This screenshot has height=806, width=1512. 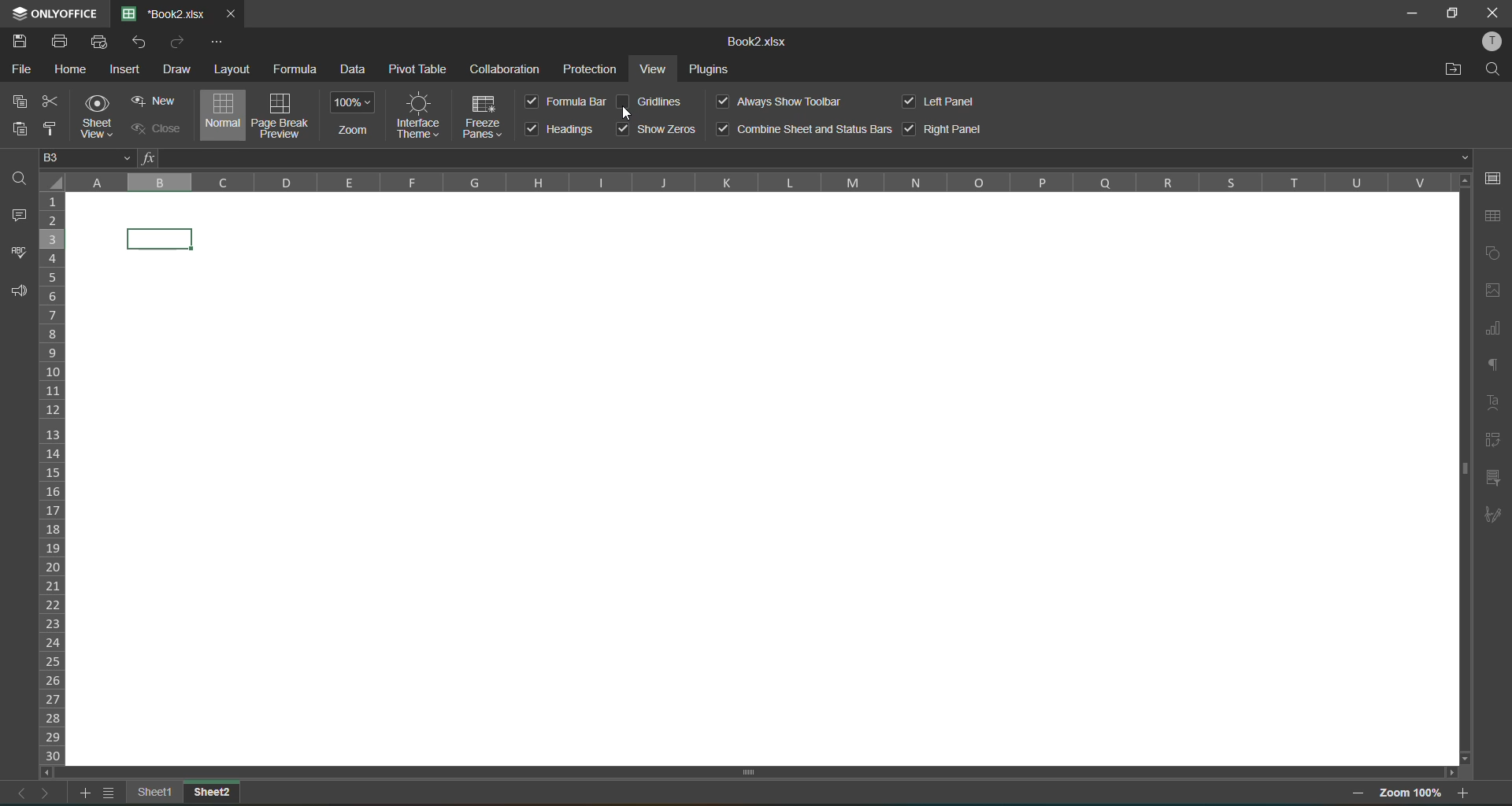 I want to click on find, so click(x=1496, y=66).